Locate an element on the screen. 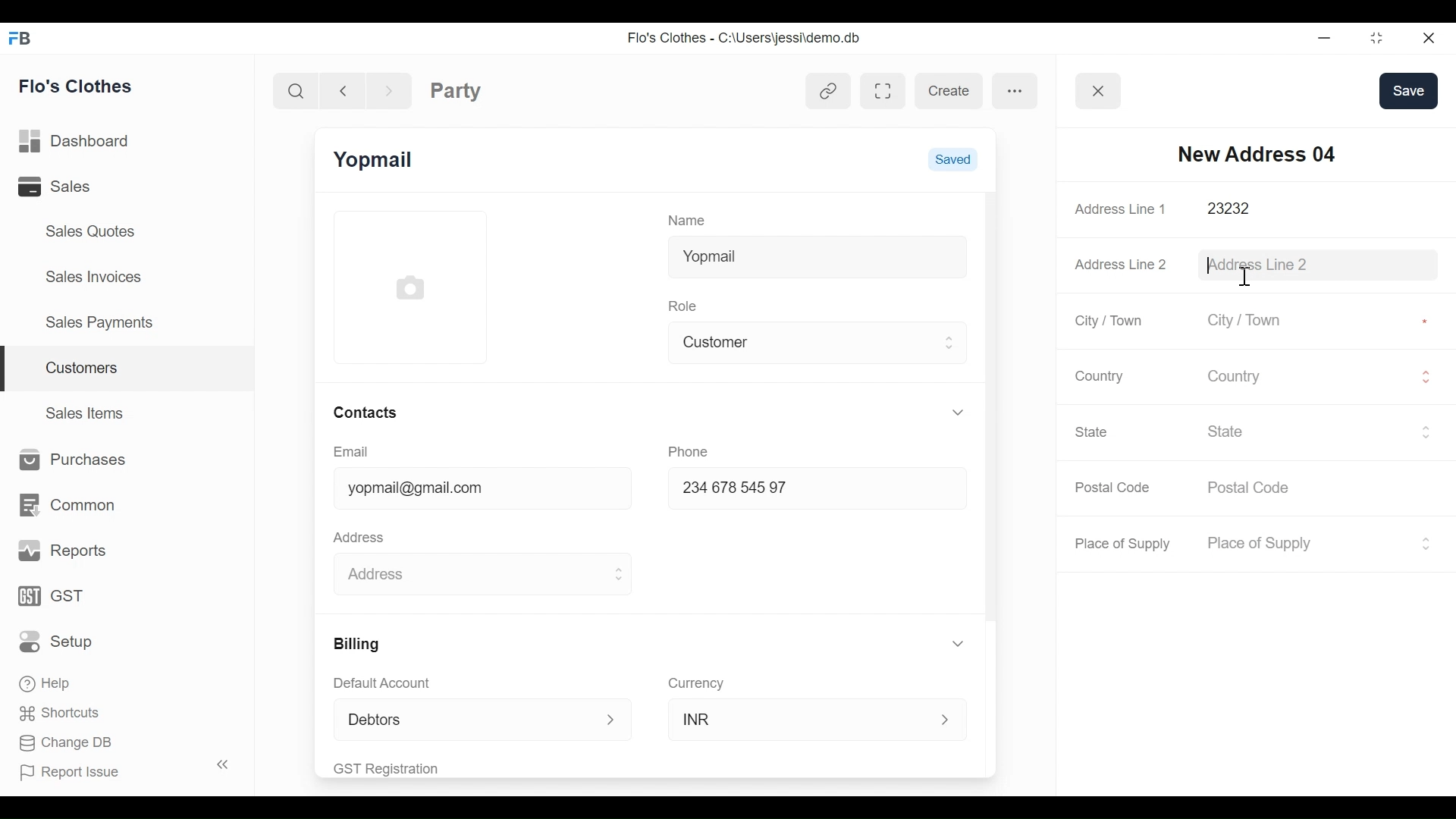 The height and width of the screenshot is (819, 1456). Expand is located at coordinates (1426, 377).